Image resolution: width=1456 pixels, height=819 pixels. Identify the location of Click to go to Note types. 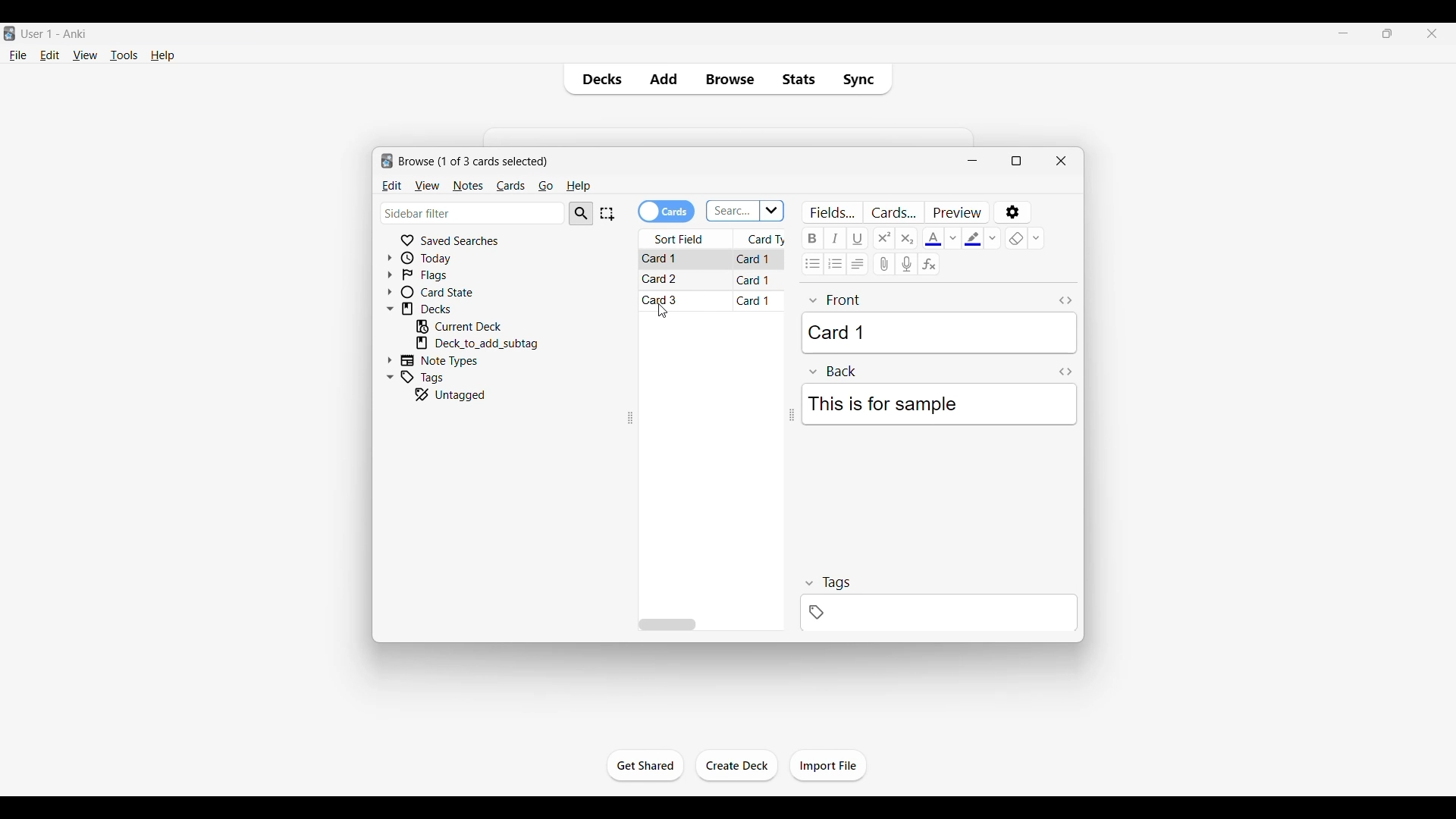
(447, 360).